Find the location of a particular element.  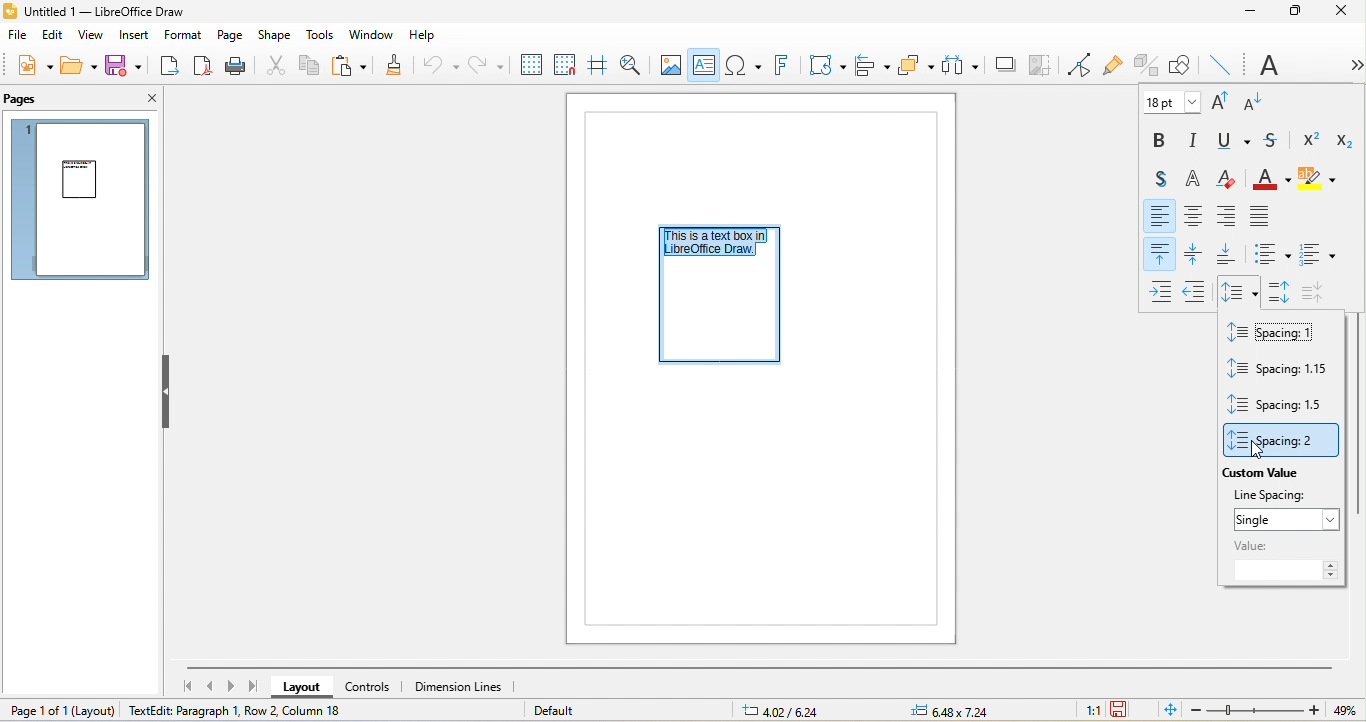

file is located at coordinates (20, 36).